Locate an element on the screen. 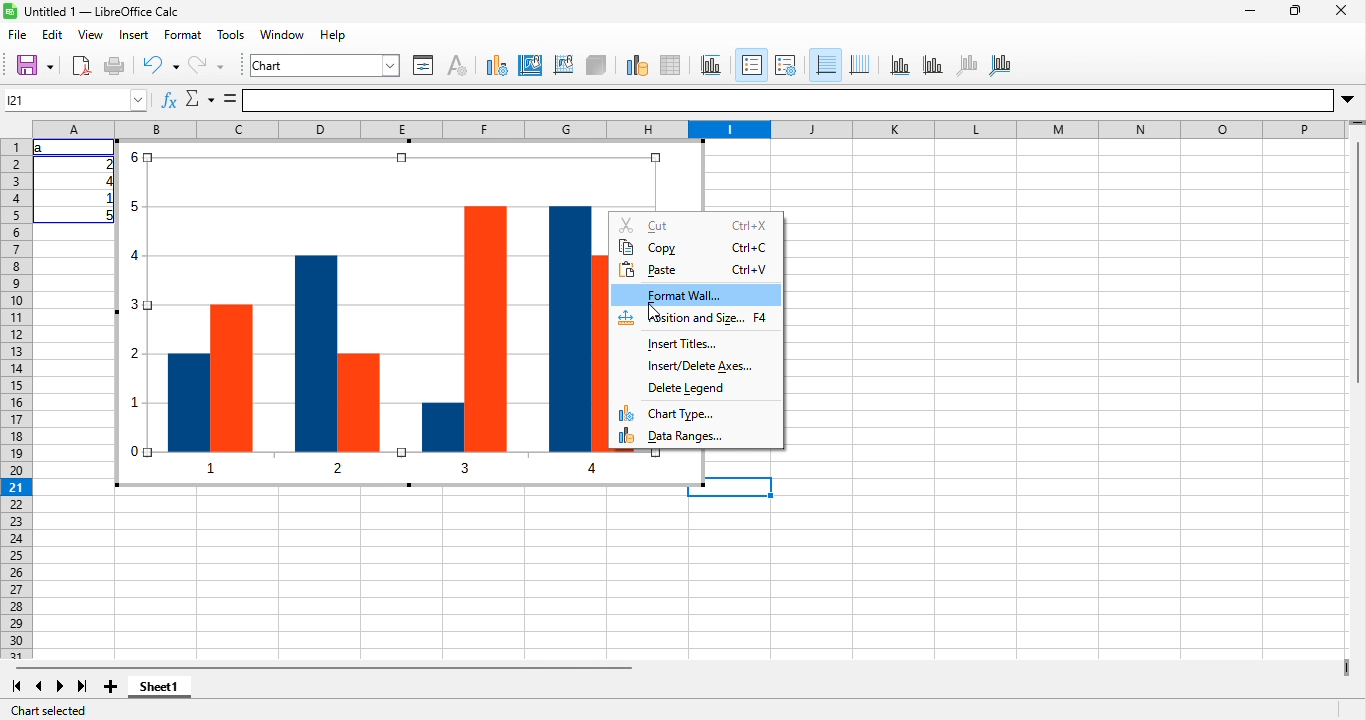 This screenshot has height=720, width=1366. 5 is located at coordinates (106, 215).